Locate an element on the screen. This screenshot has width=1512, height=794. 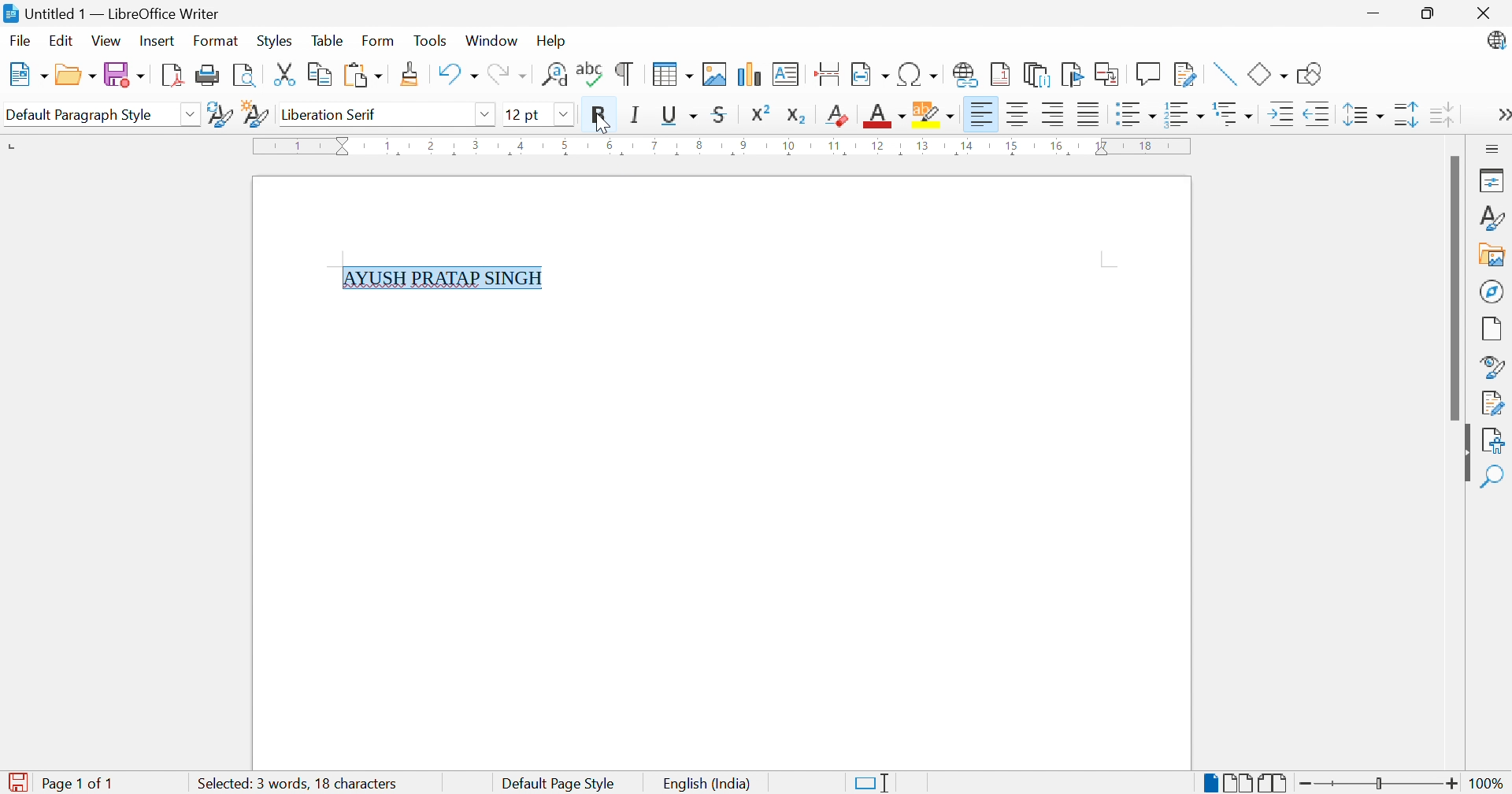
Insert Image is located at coordinates (715, 73).